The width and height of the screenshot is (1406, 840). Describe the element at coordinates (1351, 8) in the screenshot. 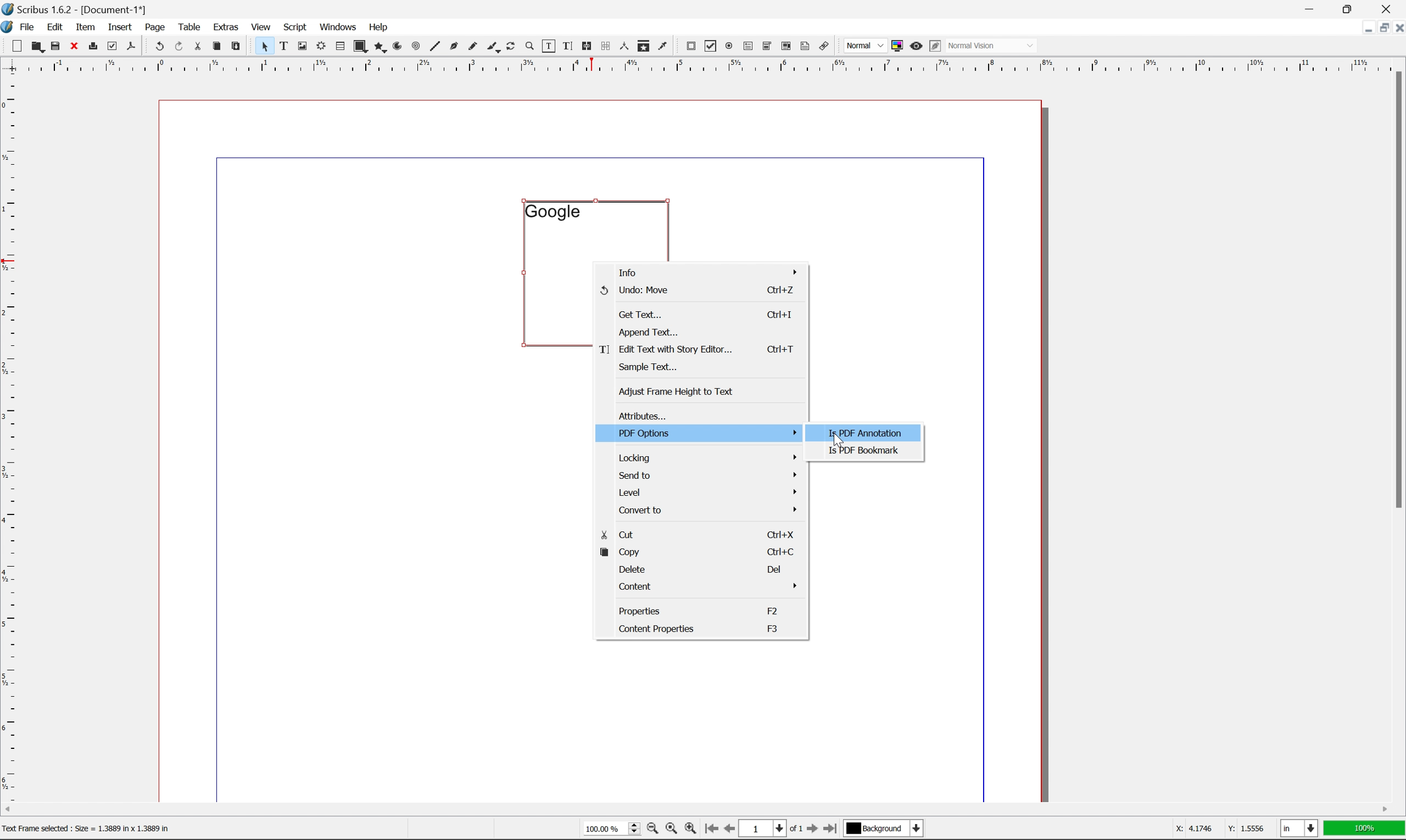

I see `restore down` at that location.